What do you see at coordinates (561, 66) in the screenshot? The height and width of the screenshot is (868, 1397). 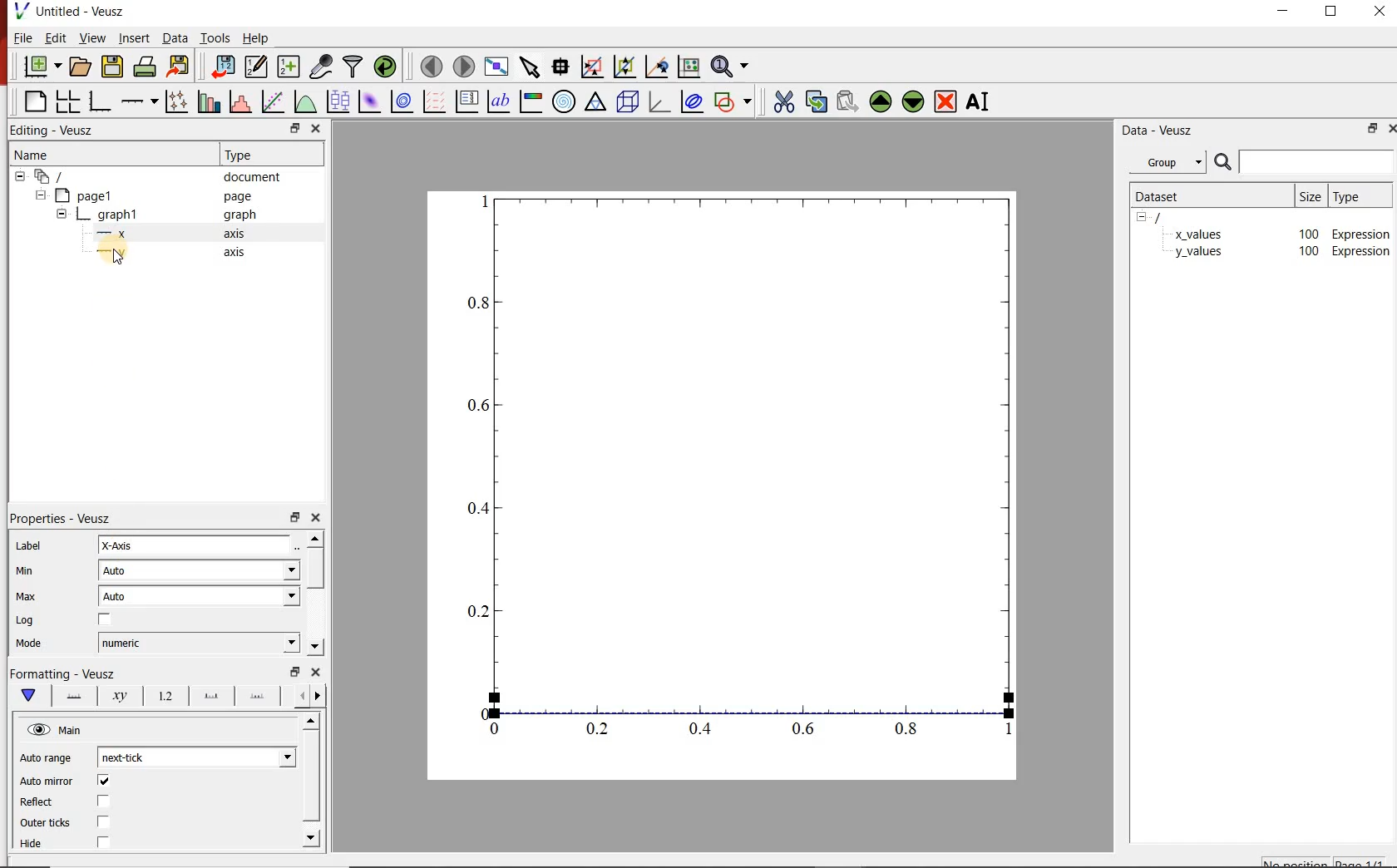 I see `read data points on the graph` at bounding box center [561, 66].